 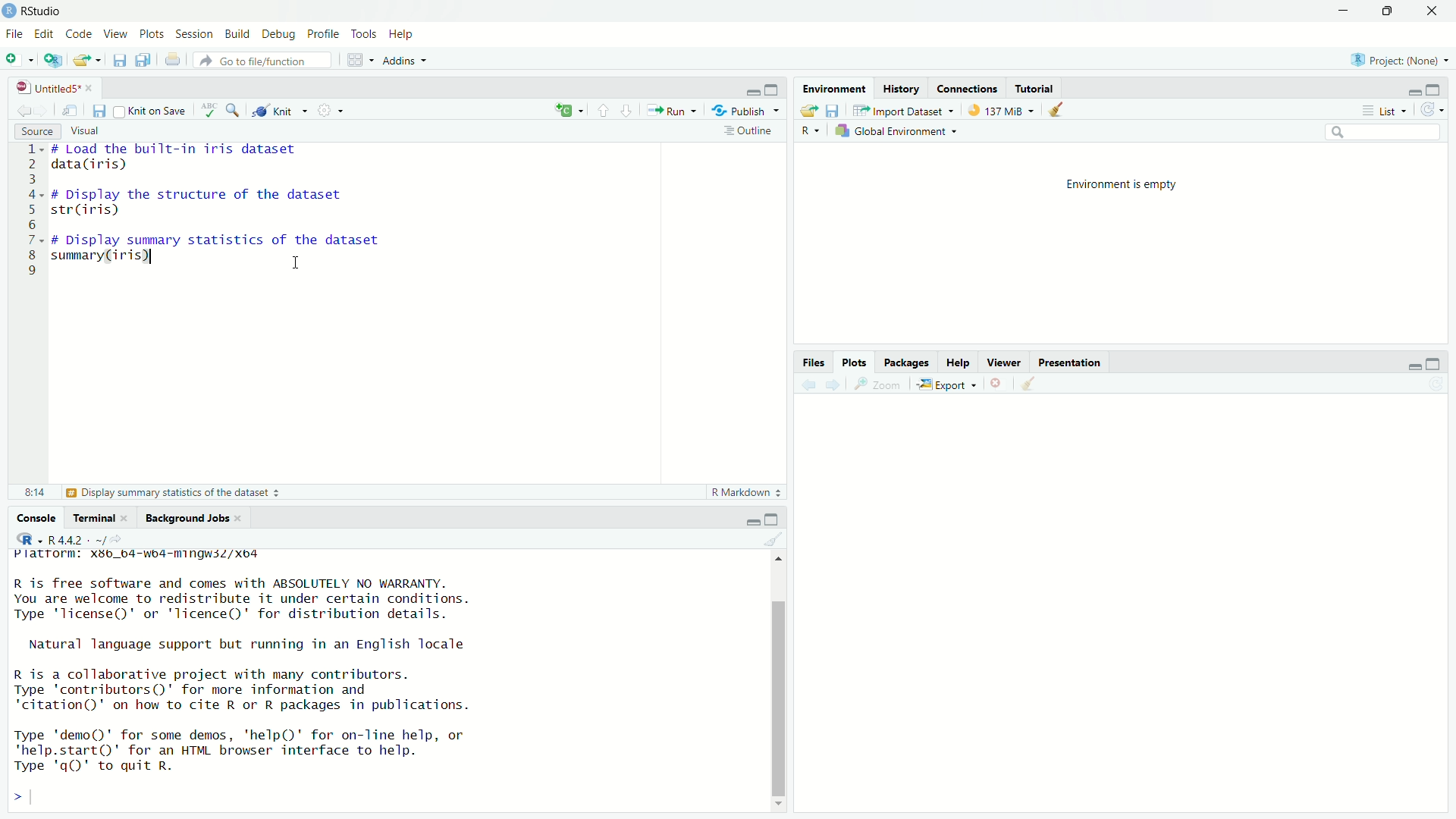 I want to click on Scroll bar, so click(x=781, y=685).